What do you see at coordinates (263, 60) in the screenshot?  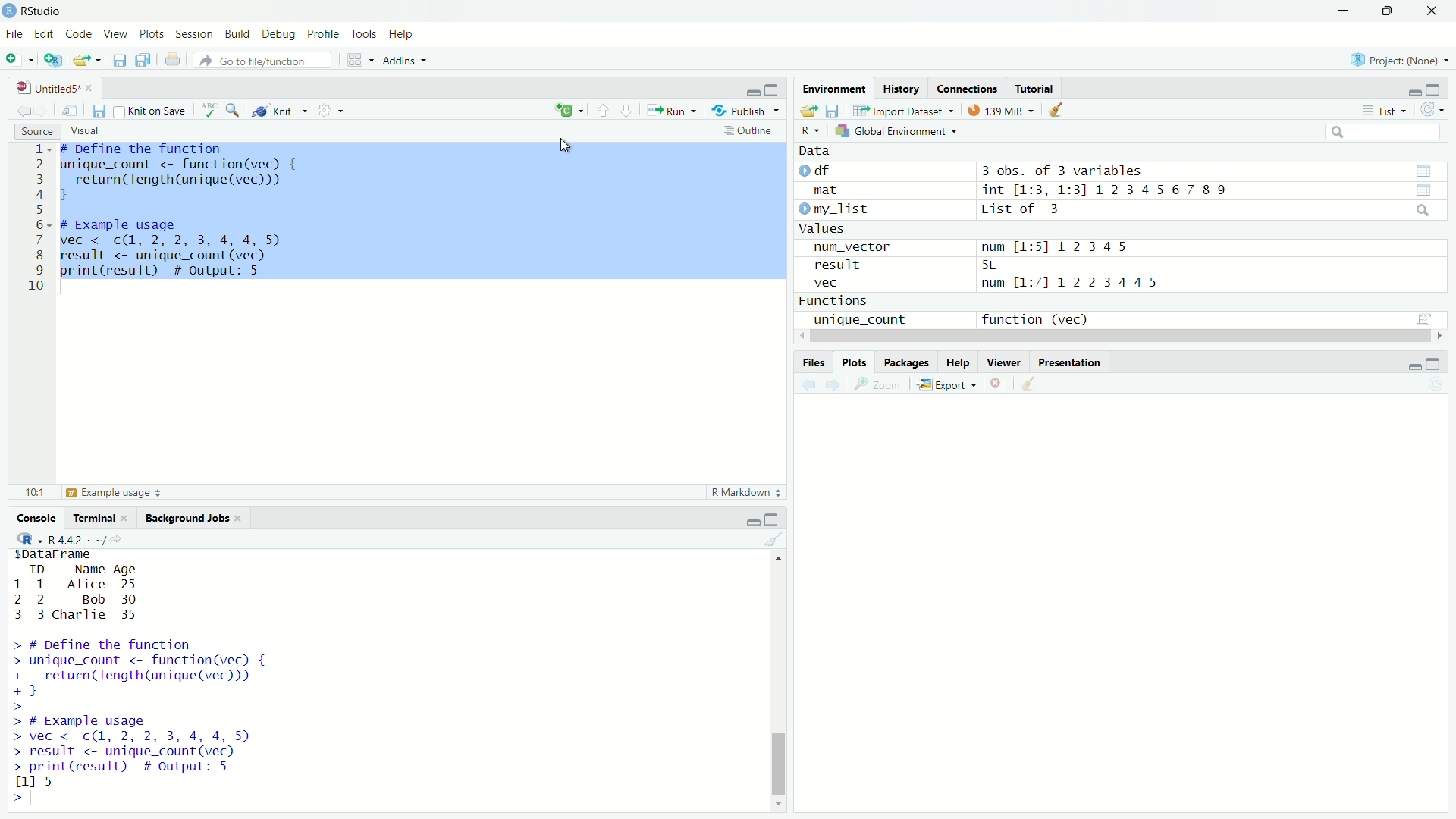 I see `go to file/function` at bounding box center [263, 60].